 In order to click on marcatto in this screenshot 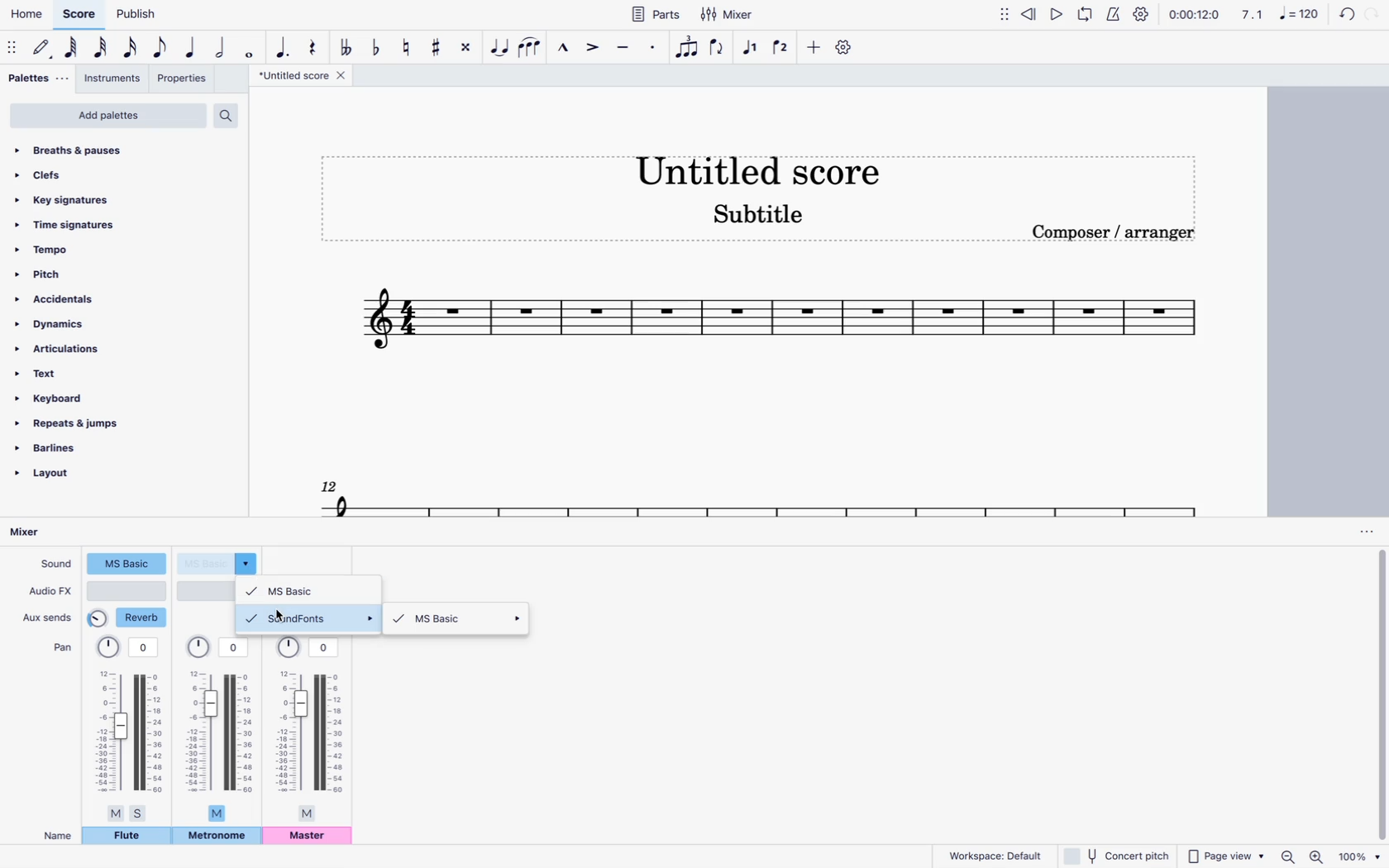, I will do `click(563, 49)`.